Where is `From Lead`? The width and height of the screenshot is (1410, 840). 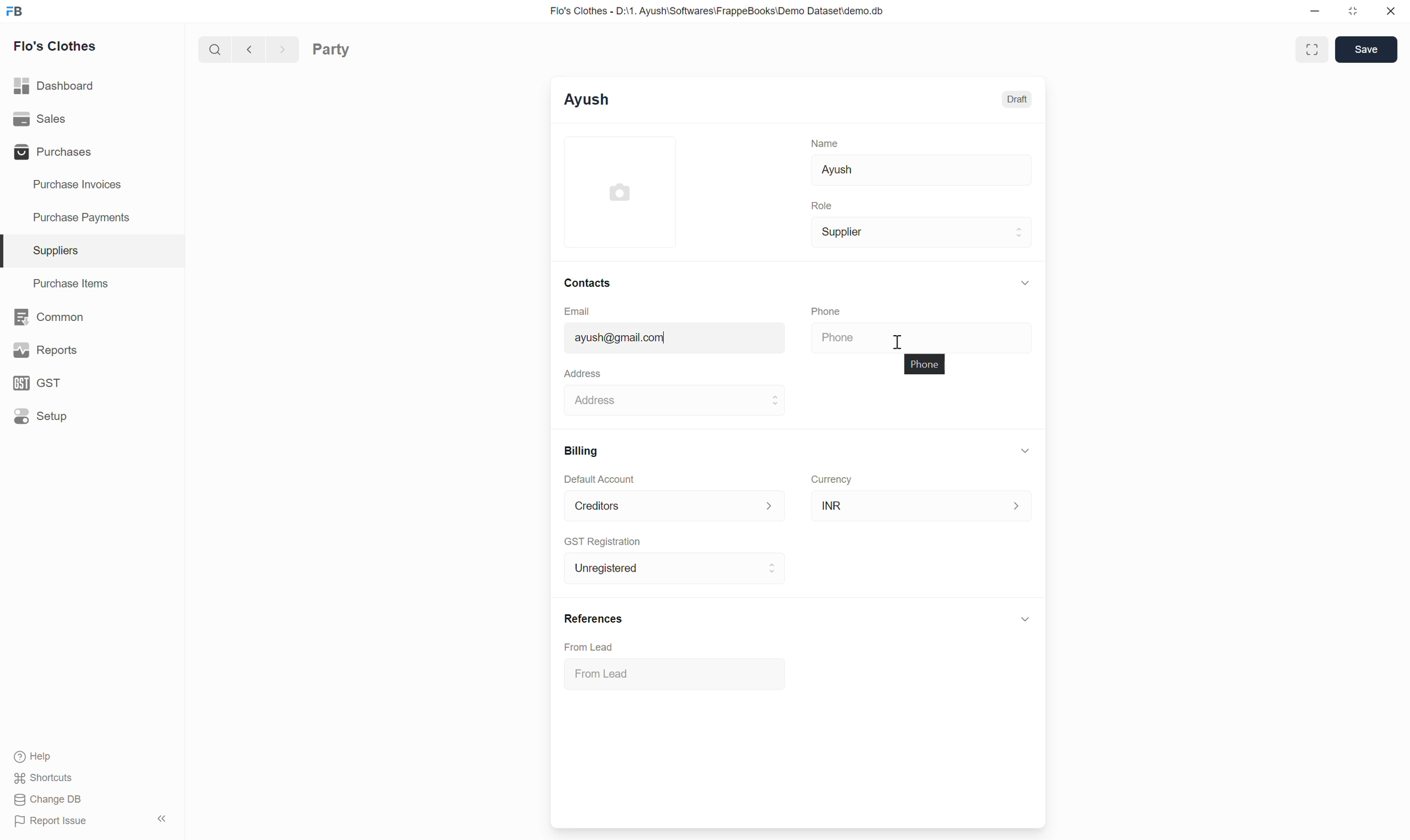 From Lead is located at coordinates (676, 674).